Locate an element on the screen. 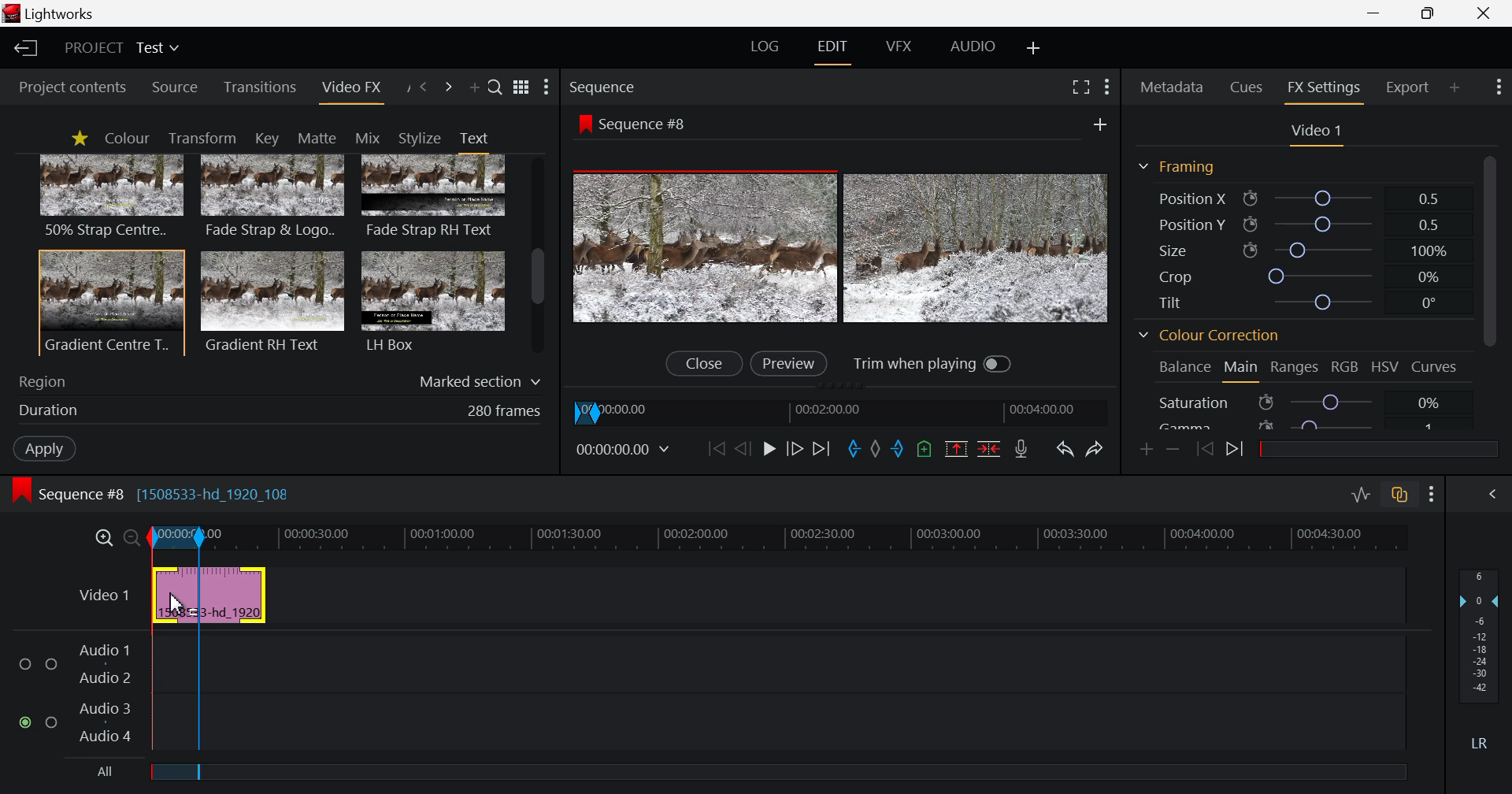 This screenshot has height=794, width=1512. Colour is located at coordinates (126, 139).